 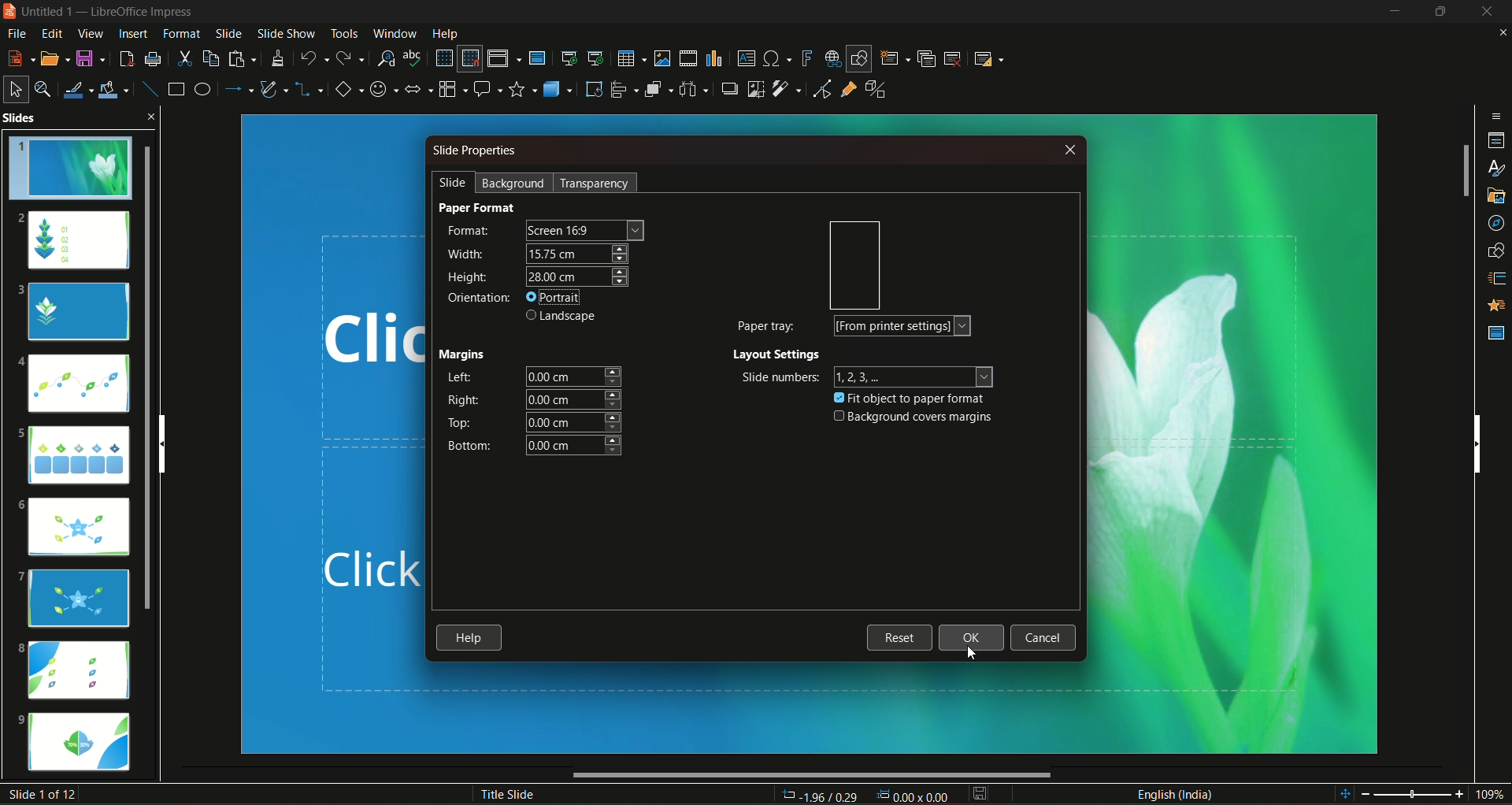 I want to click on close, so click(x=1499, y=33).